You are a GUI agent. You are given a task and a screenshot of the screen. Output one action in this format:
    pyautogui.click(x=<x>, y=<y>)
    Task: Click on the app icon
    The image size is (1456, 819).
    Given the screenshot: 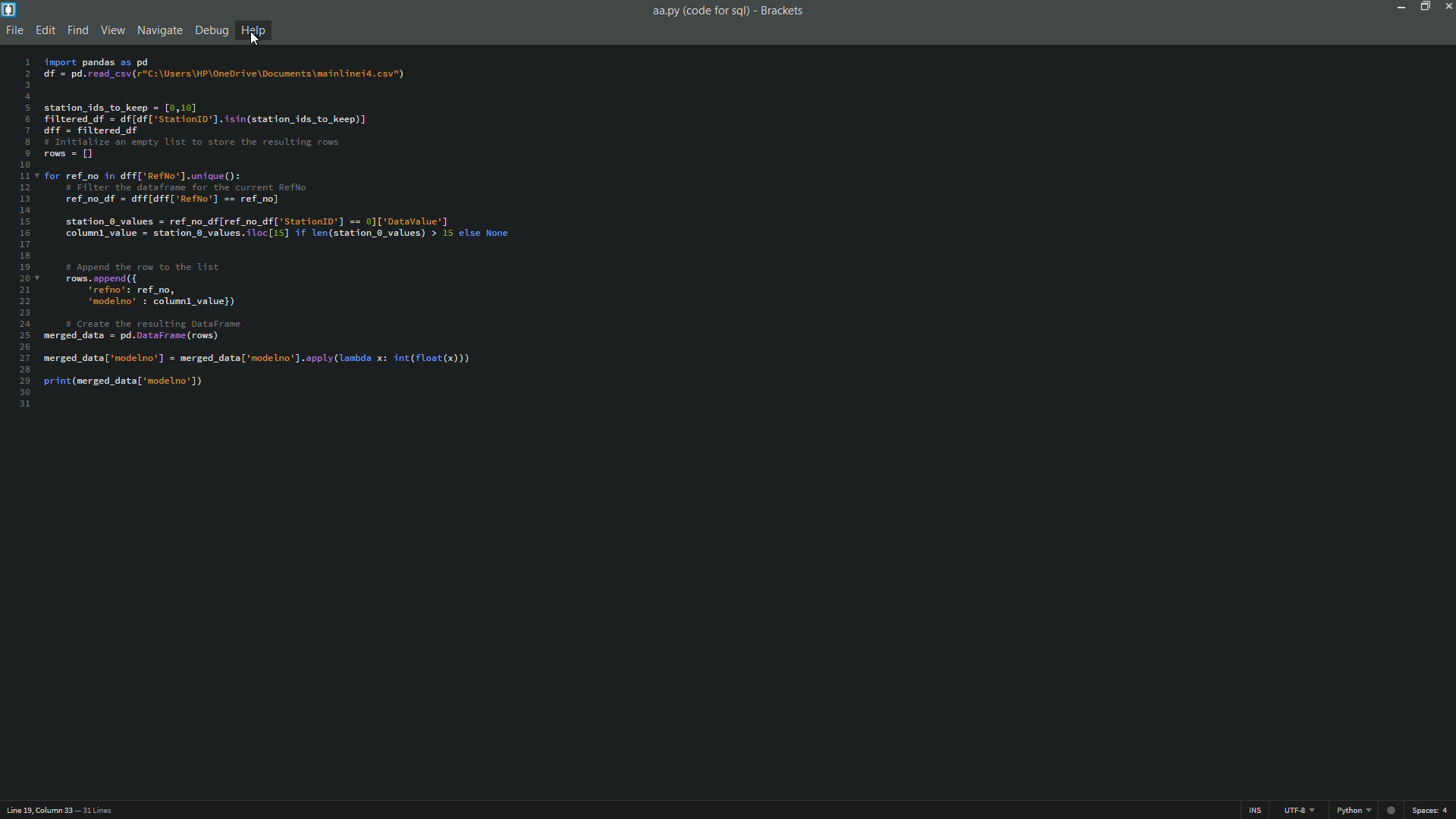 What is the action you would take?
    pyautogui.click(x=10, y=10)
    